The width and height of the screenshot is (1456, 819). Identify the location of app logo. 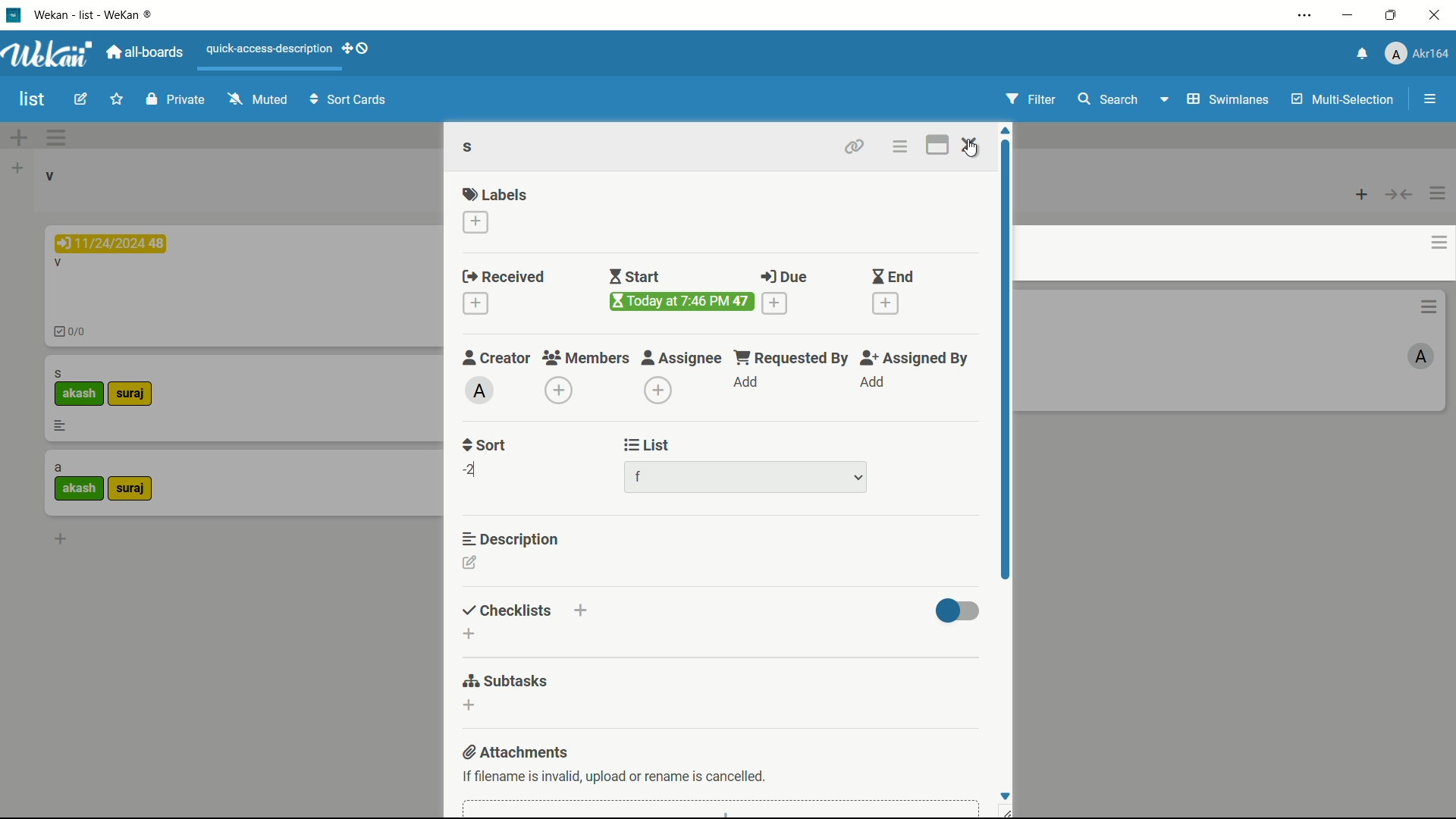
(49, 54).